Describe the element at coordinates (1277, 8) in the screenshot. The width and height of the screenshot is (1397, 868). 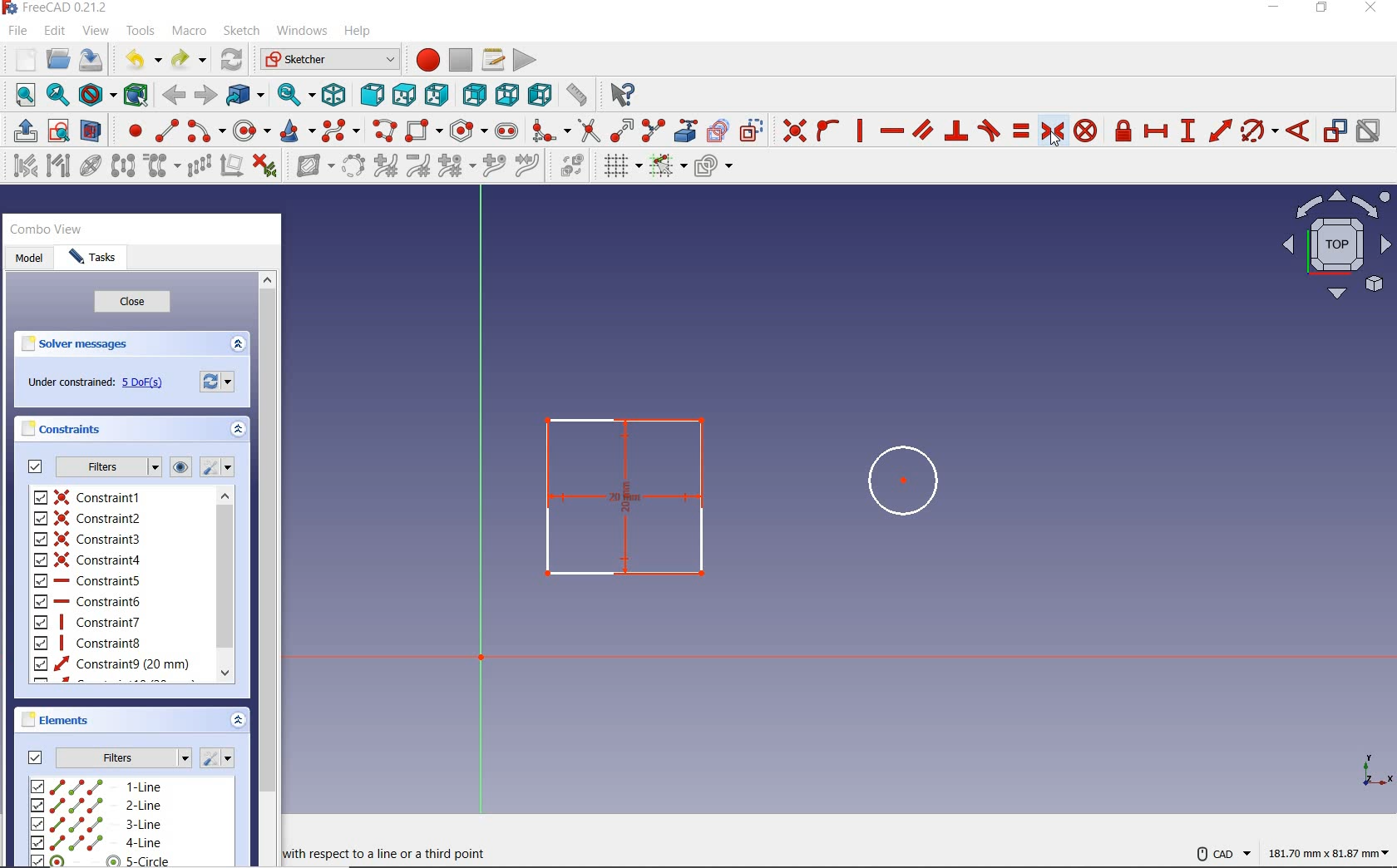
I see `minimize` at that location.